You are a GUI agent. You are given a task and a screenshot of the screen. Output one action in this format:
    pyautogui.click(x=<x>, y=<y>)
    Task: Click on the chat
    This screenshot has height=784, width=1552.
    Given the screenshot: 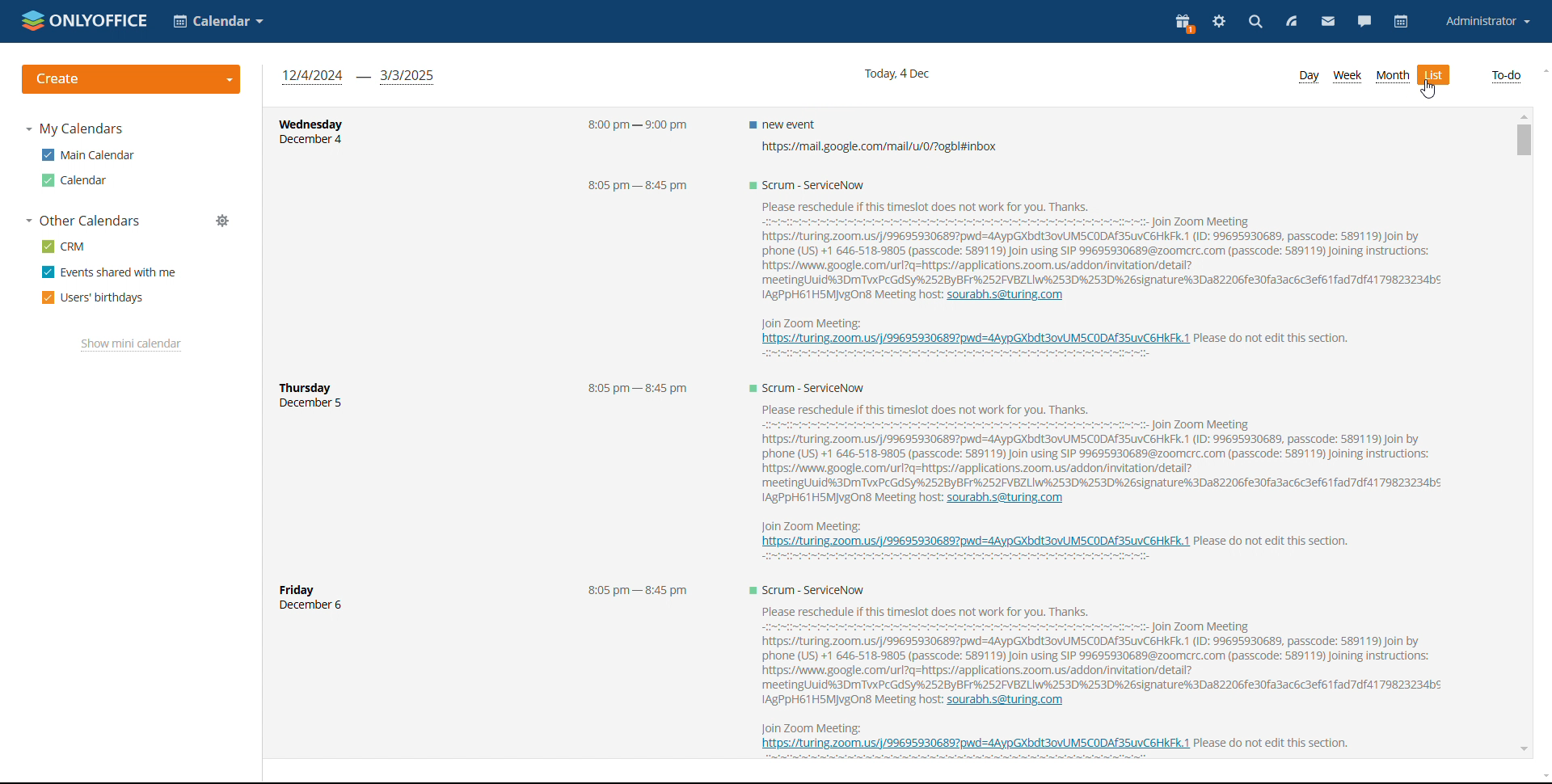 What is the action you would take?
    pyautogui.click(x=1365, y=22)
    